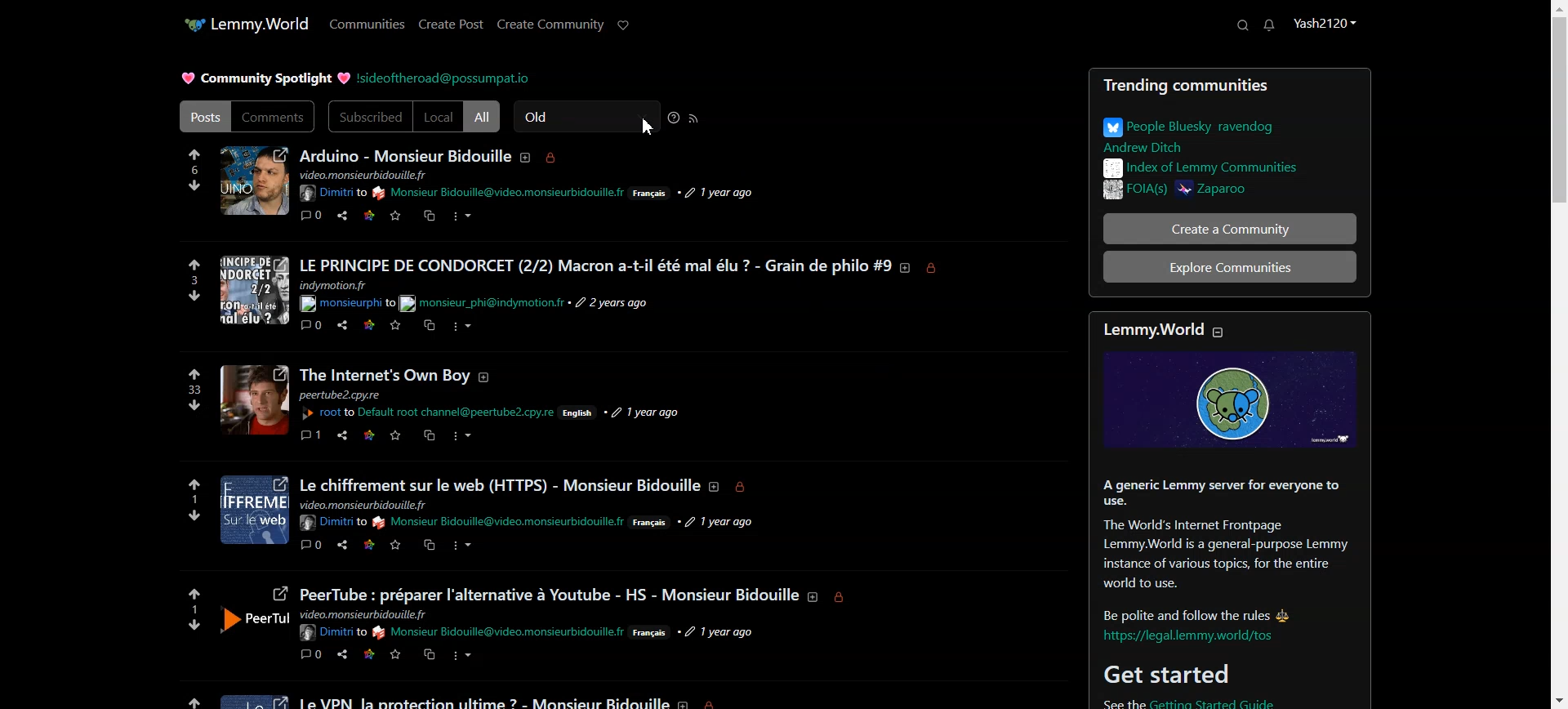 The height and width of the screenshot is (709, 1568). Describe the element at coordinates (180, 21) in the screenshot. I see `Lemmy World Icon` at that location.